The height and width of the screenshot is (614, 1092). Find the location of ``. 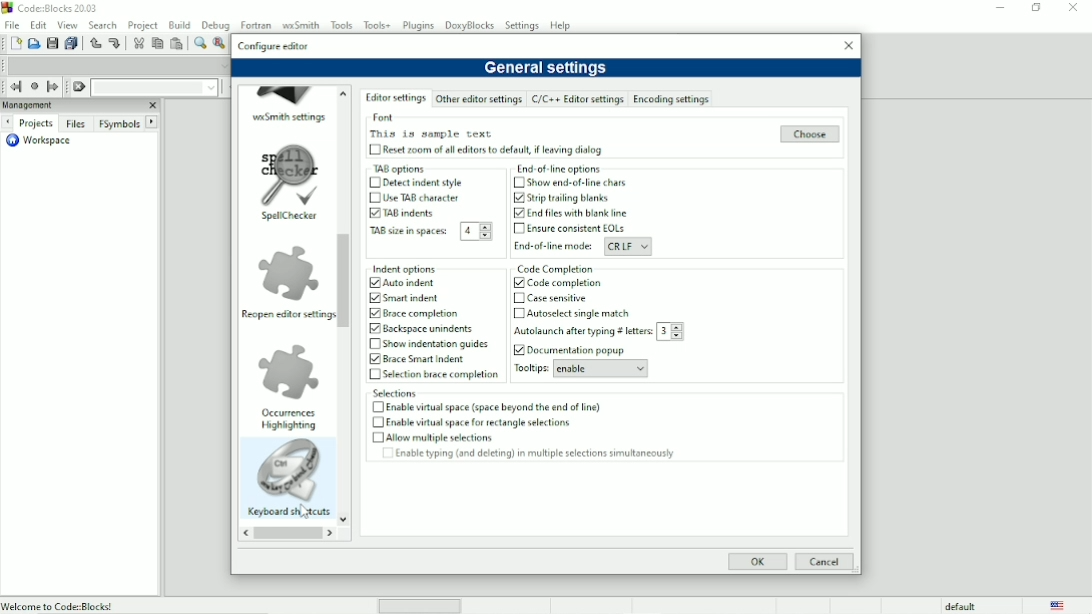

 is located at coordinates (372, 359).